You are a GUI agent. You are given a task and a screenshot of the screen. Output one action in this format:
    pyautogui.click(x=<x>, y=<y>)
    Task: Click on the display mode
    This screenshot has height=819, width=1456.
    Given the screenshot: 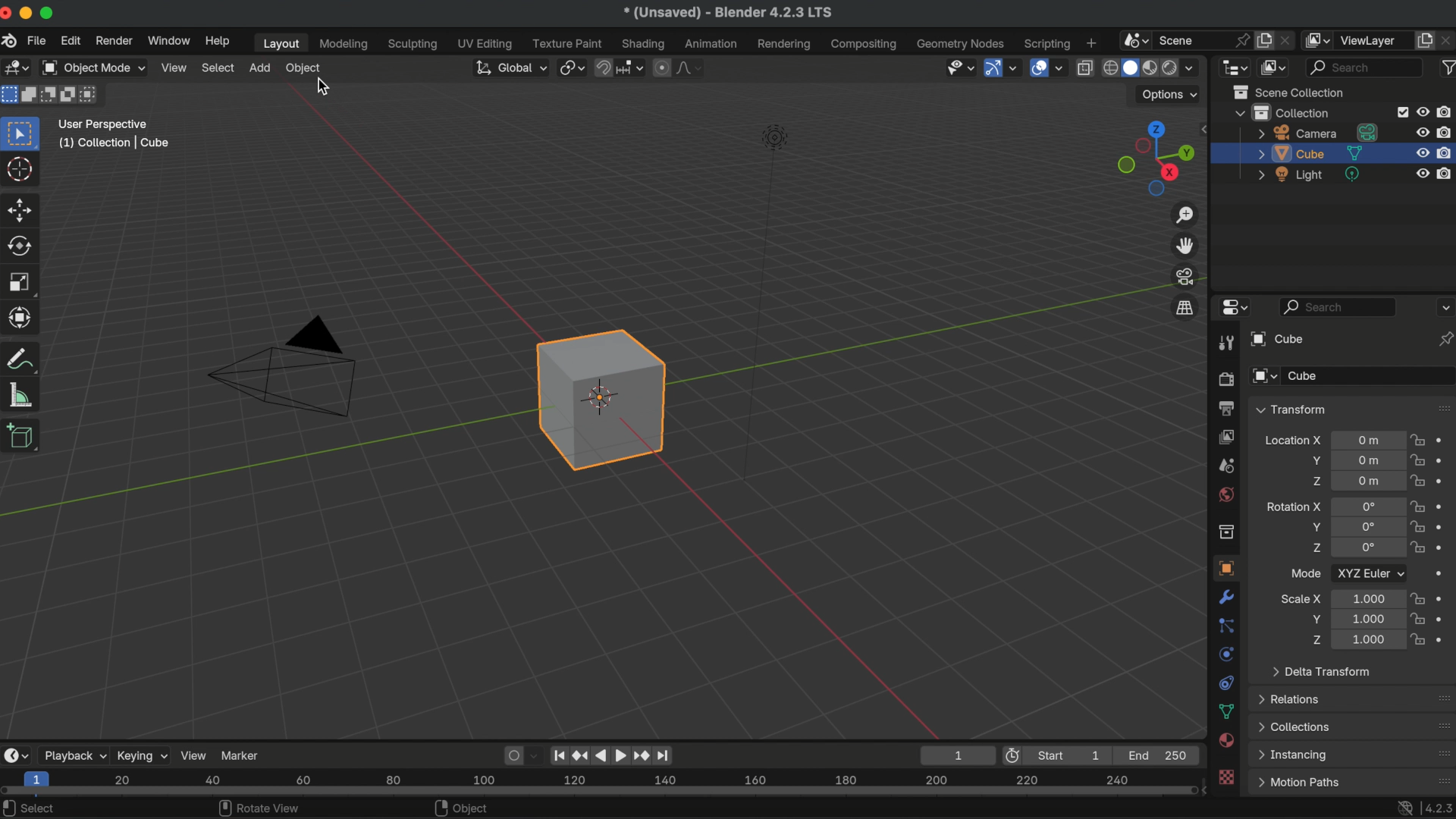 What is the action you would take?
    pyautogui.click(x=1275, y=67)
    